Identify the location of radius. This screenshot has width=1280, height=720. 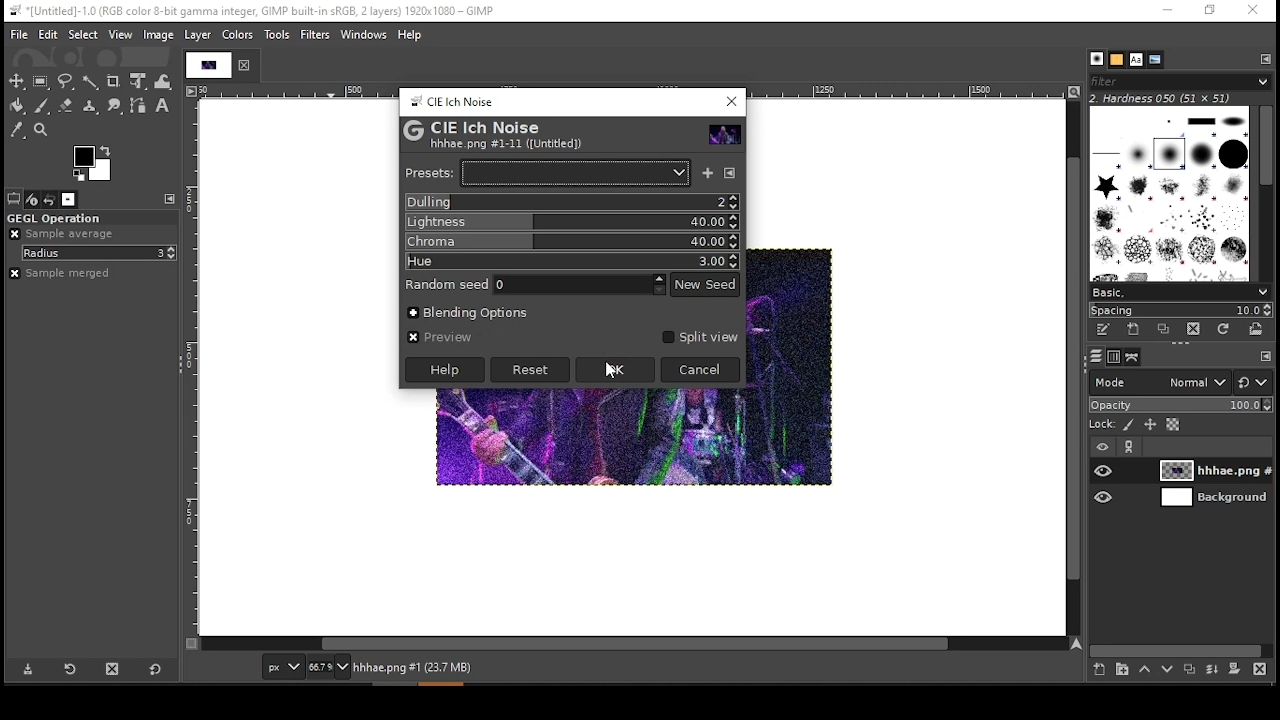
(99, 253).